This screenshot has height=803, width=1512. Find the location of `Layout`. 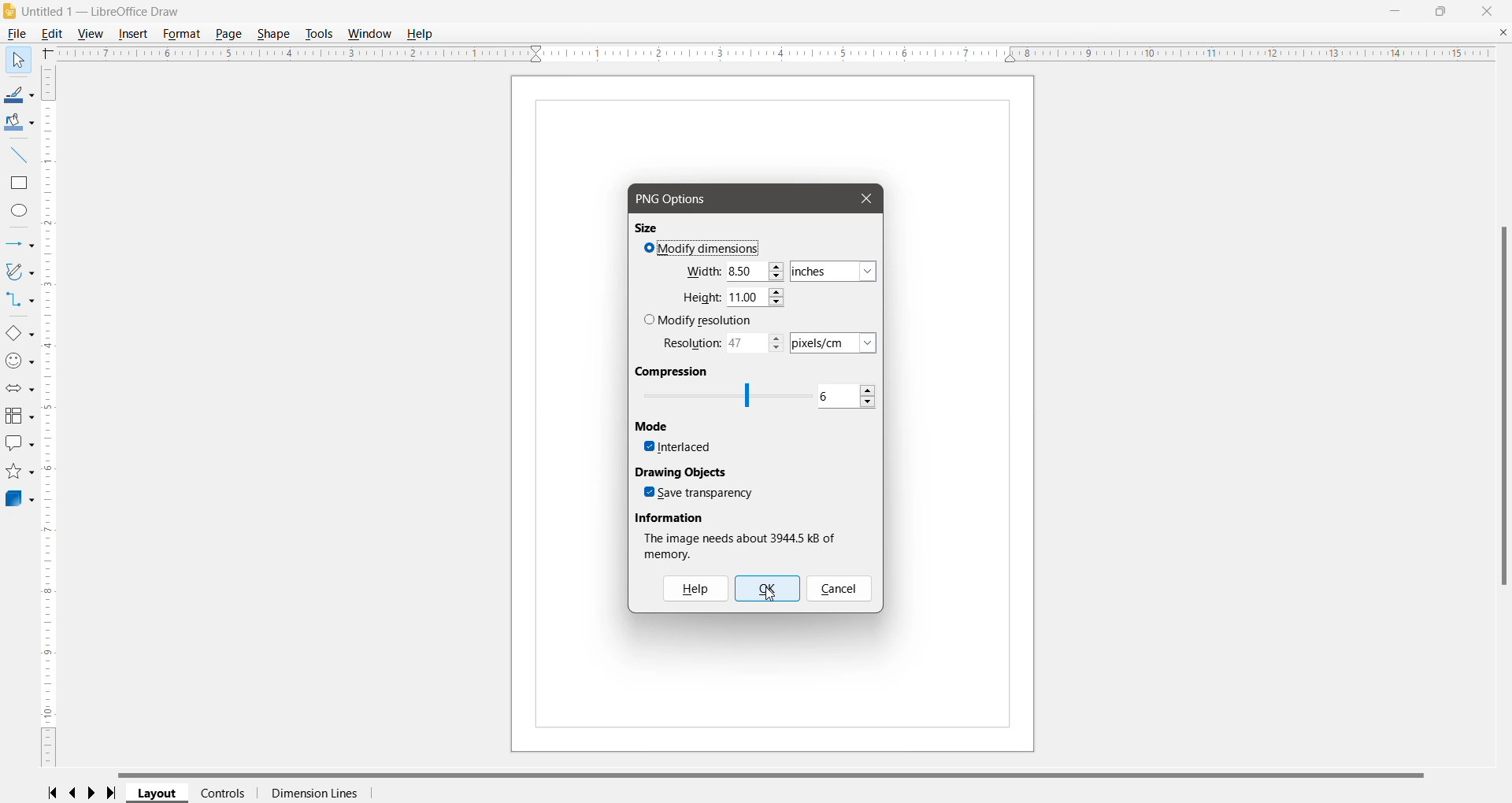

Layout is located at coordinates (158, 794).